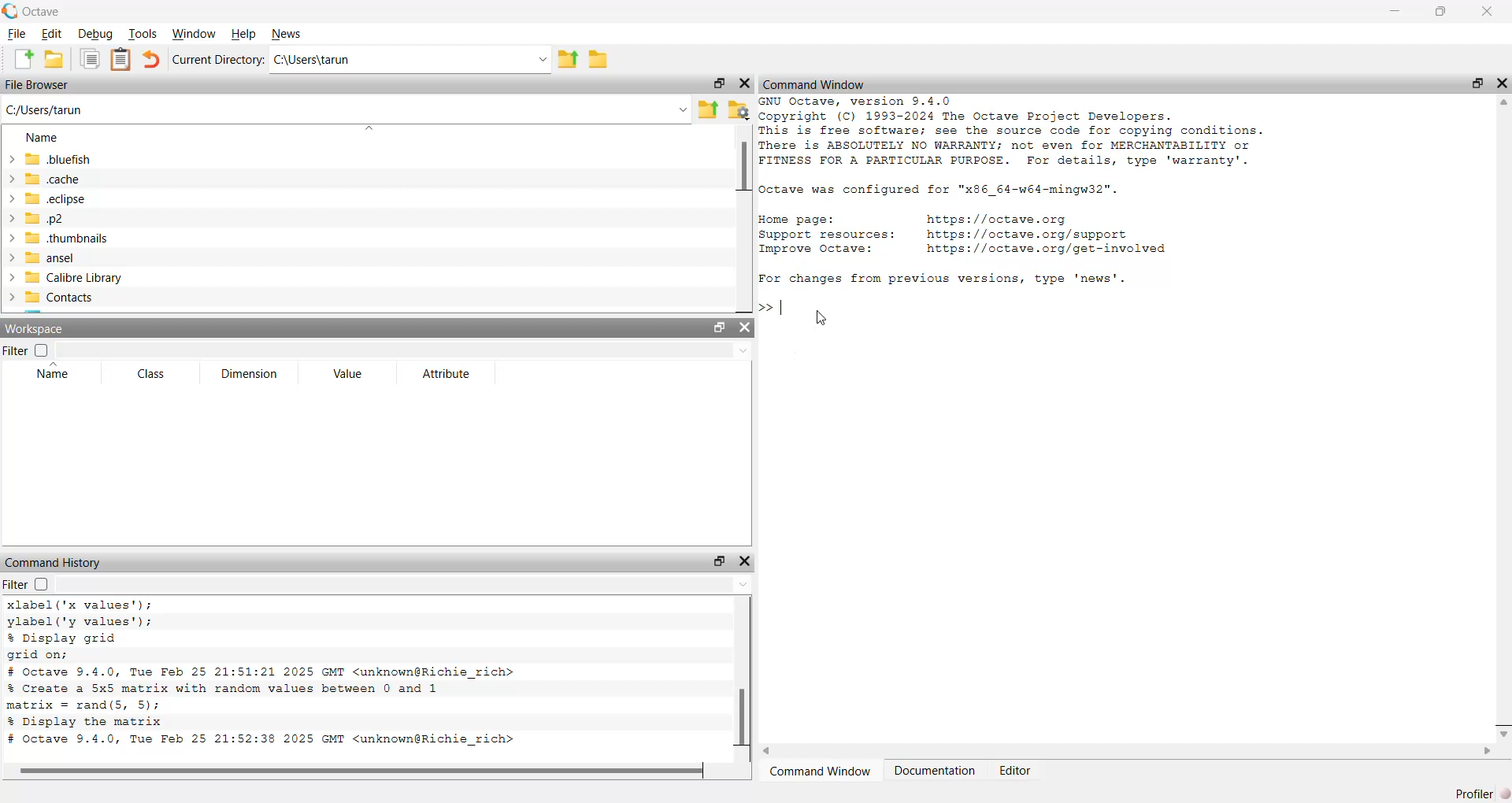 The image size is (1512, 803). Describe the element at coordinates (197, 33) in the screenshot. I see `Window` at that location.